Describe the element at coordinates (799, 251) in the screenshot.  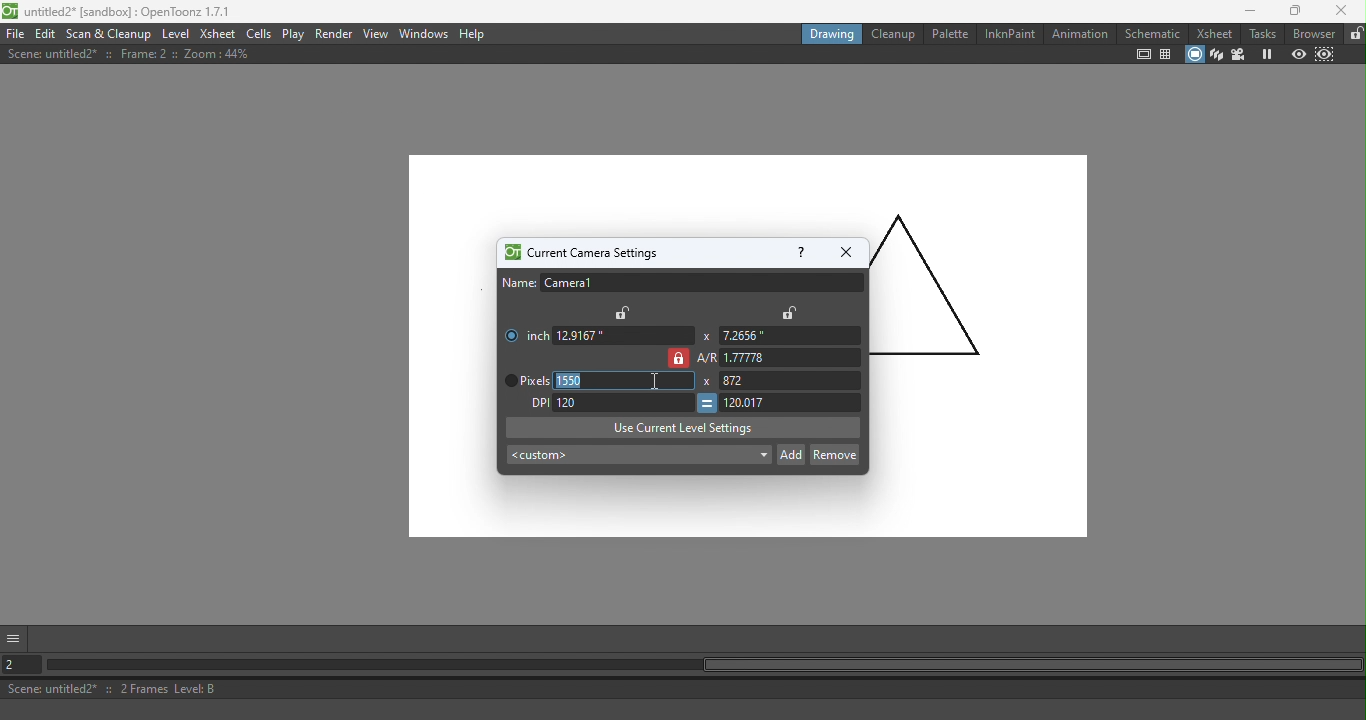
I see `Help` at that location.